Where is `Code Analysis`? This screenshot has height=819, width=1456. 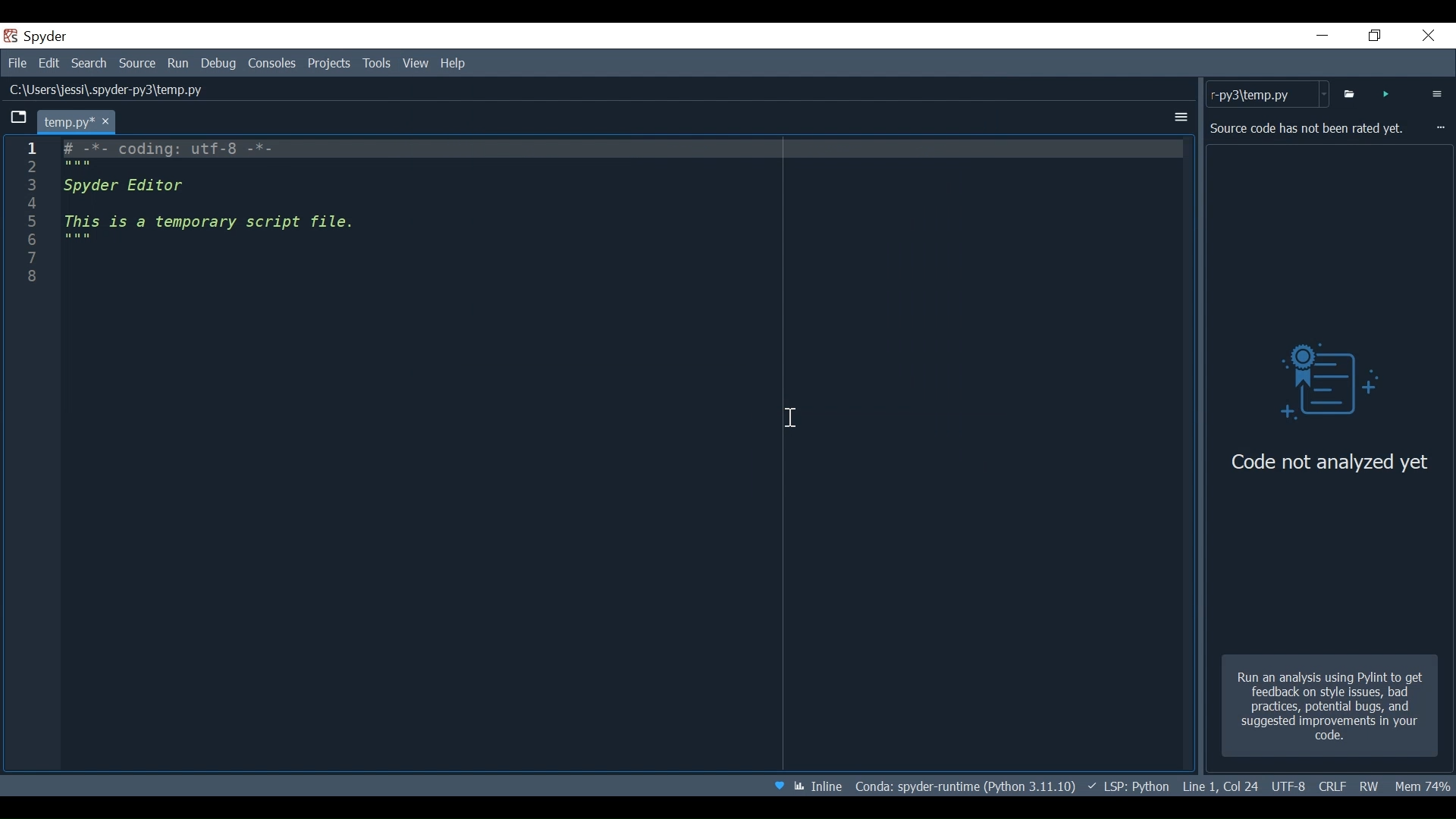
Code Analysis is located at coordinates (1333, 380).